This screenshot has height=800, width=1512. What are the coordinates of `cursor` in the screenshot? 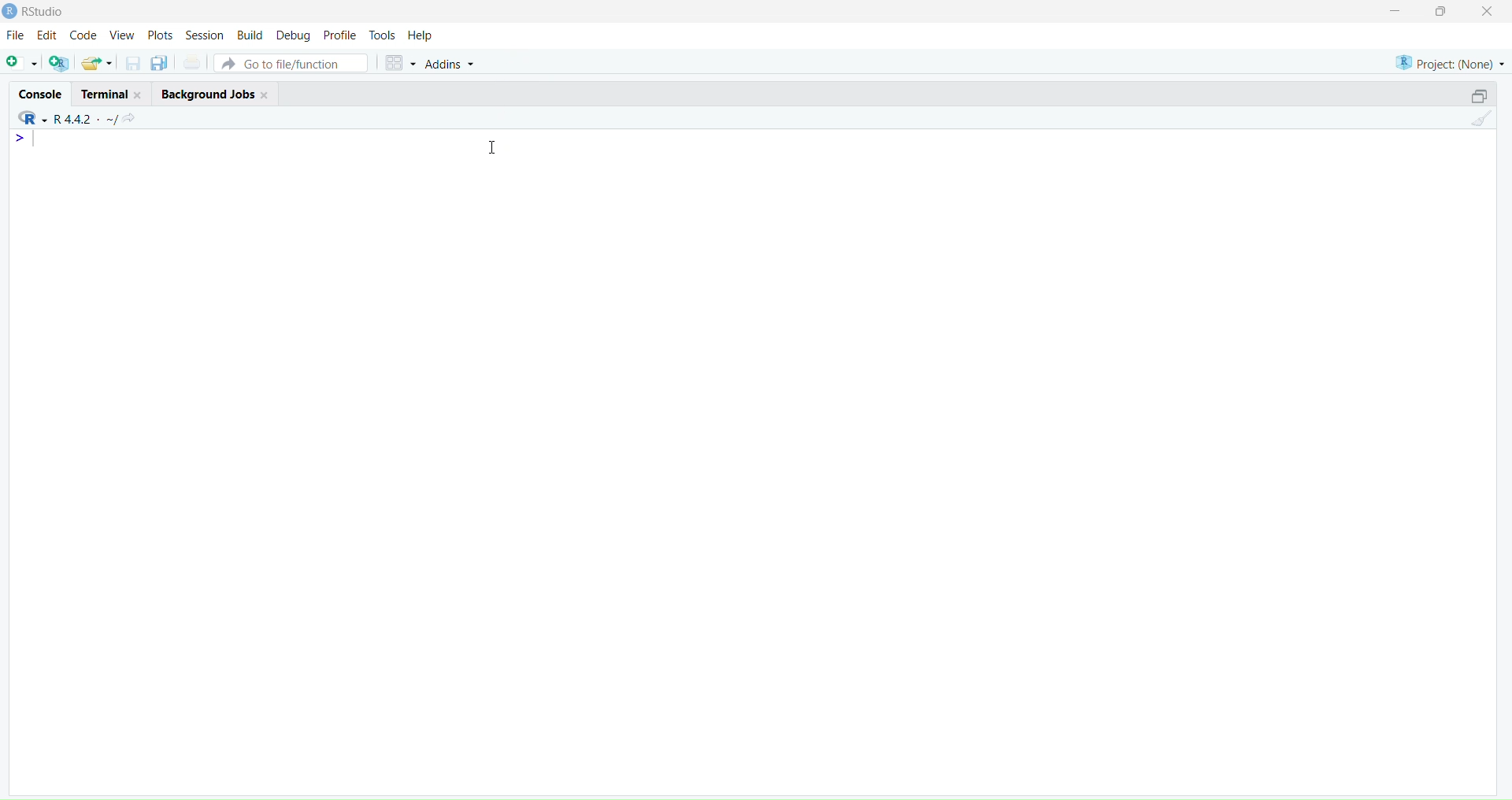 It's located at (494, 150).